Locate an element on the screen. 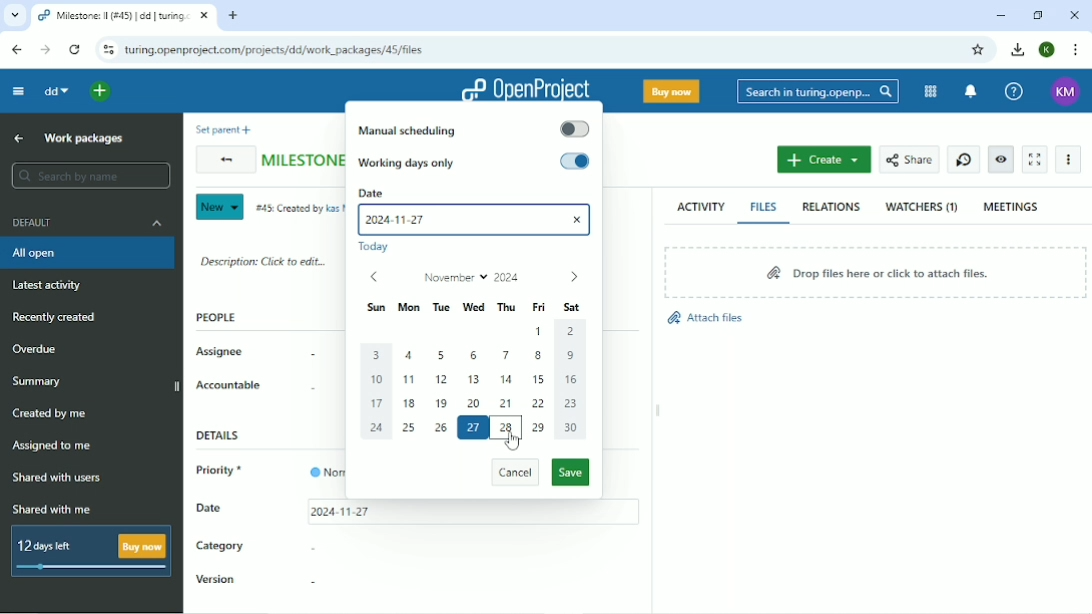 Image resolution: width=1092 pixels, height=614 pixels. Downloads is located at coordinates (1017, 48).